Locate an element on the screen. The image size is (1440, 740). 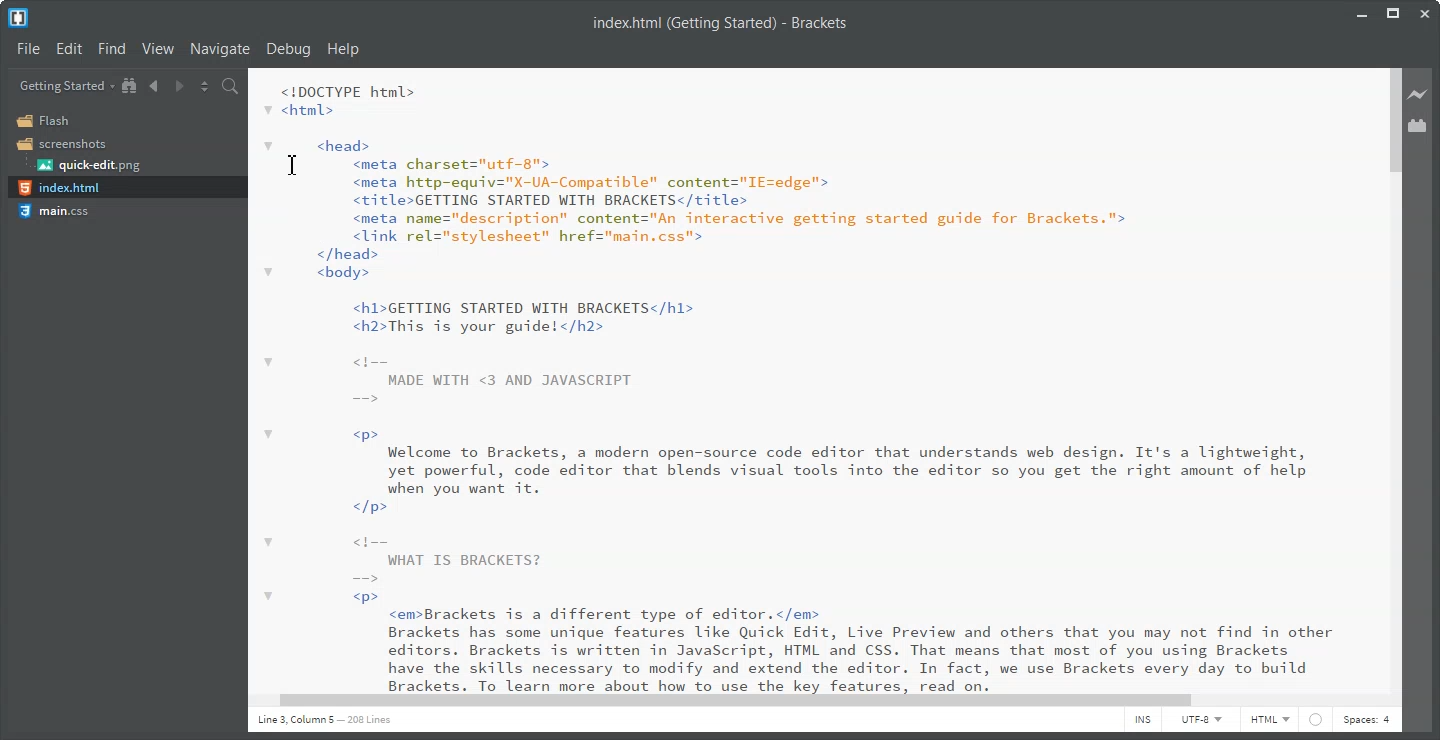
index.html is located at coordinates (59, 188).